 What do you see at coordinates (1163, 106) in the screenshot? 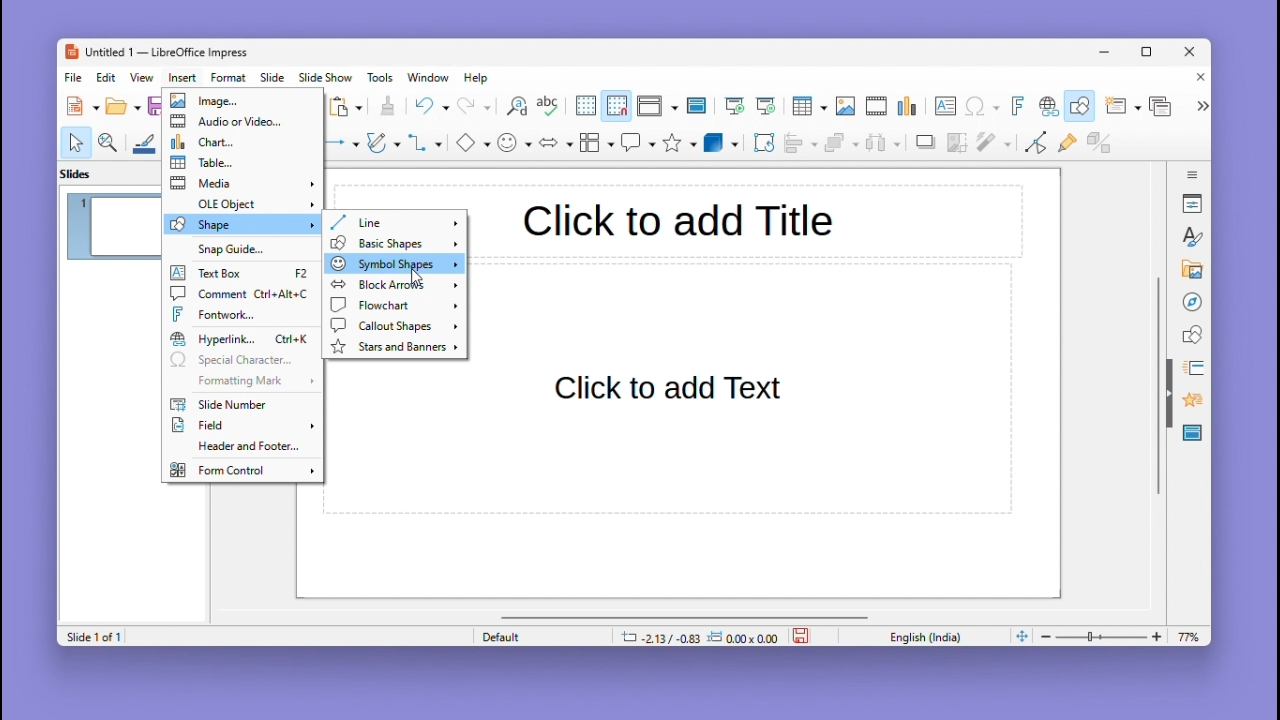
I see `Duplicate slide` at bounding box center [1163, 106].